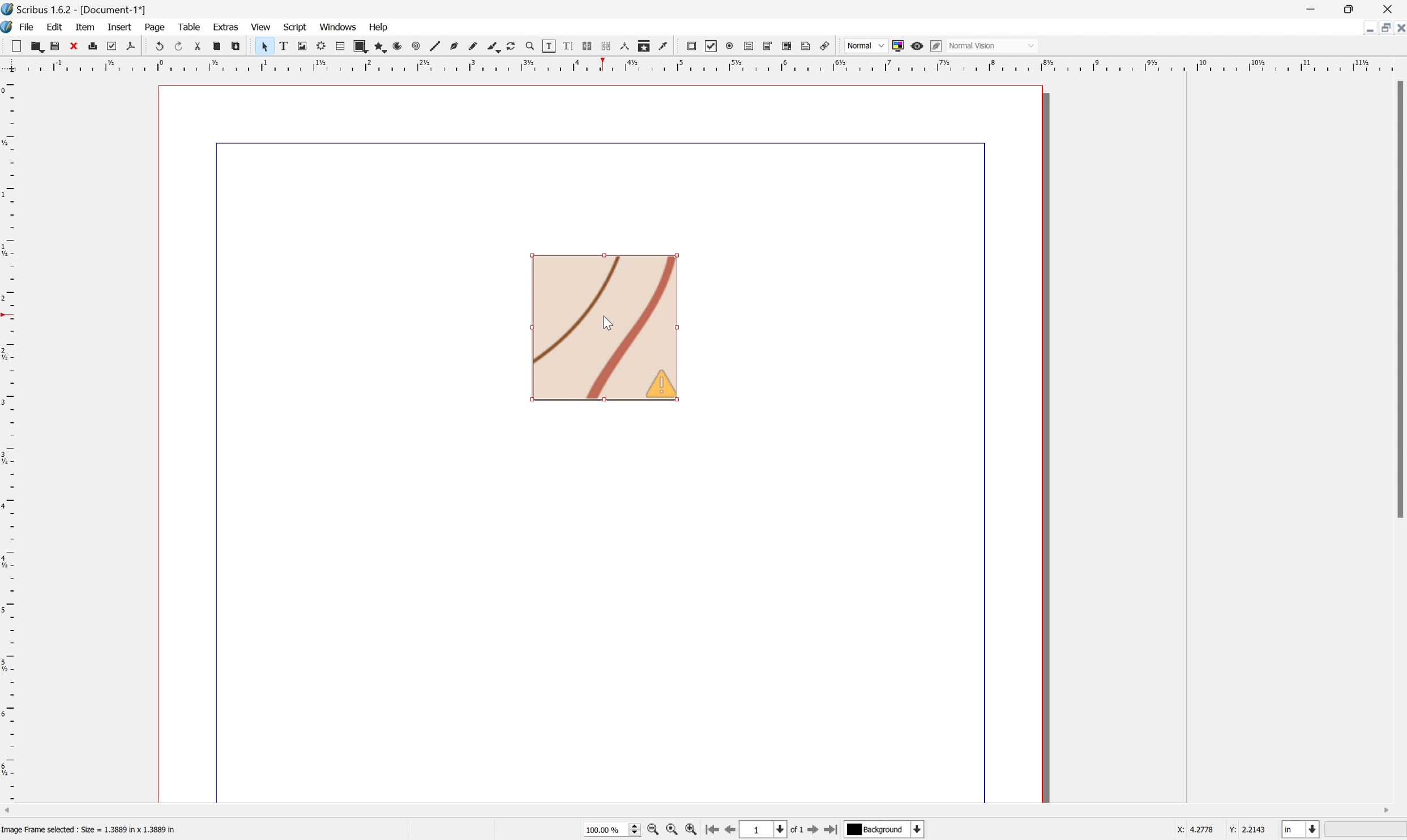 This screenshot has height=840, width=1407. I want to click on Unlink text frames, so click(608, 46).